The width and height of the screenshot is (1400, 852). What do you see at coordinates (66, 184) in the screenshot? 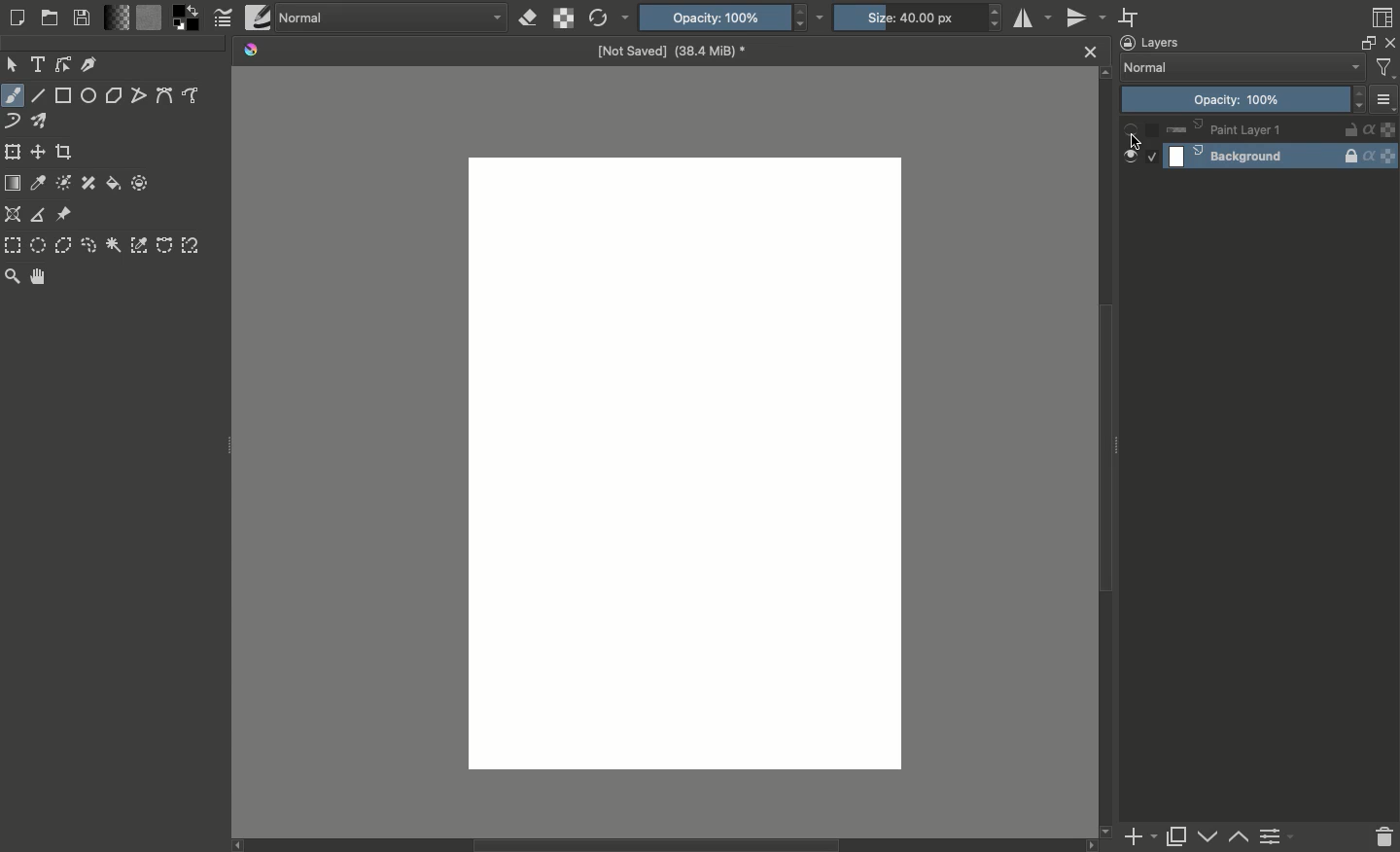
I see `Colorize ` at bounding box center [66, 184].